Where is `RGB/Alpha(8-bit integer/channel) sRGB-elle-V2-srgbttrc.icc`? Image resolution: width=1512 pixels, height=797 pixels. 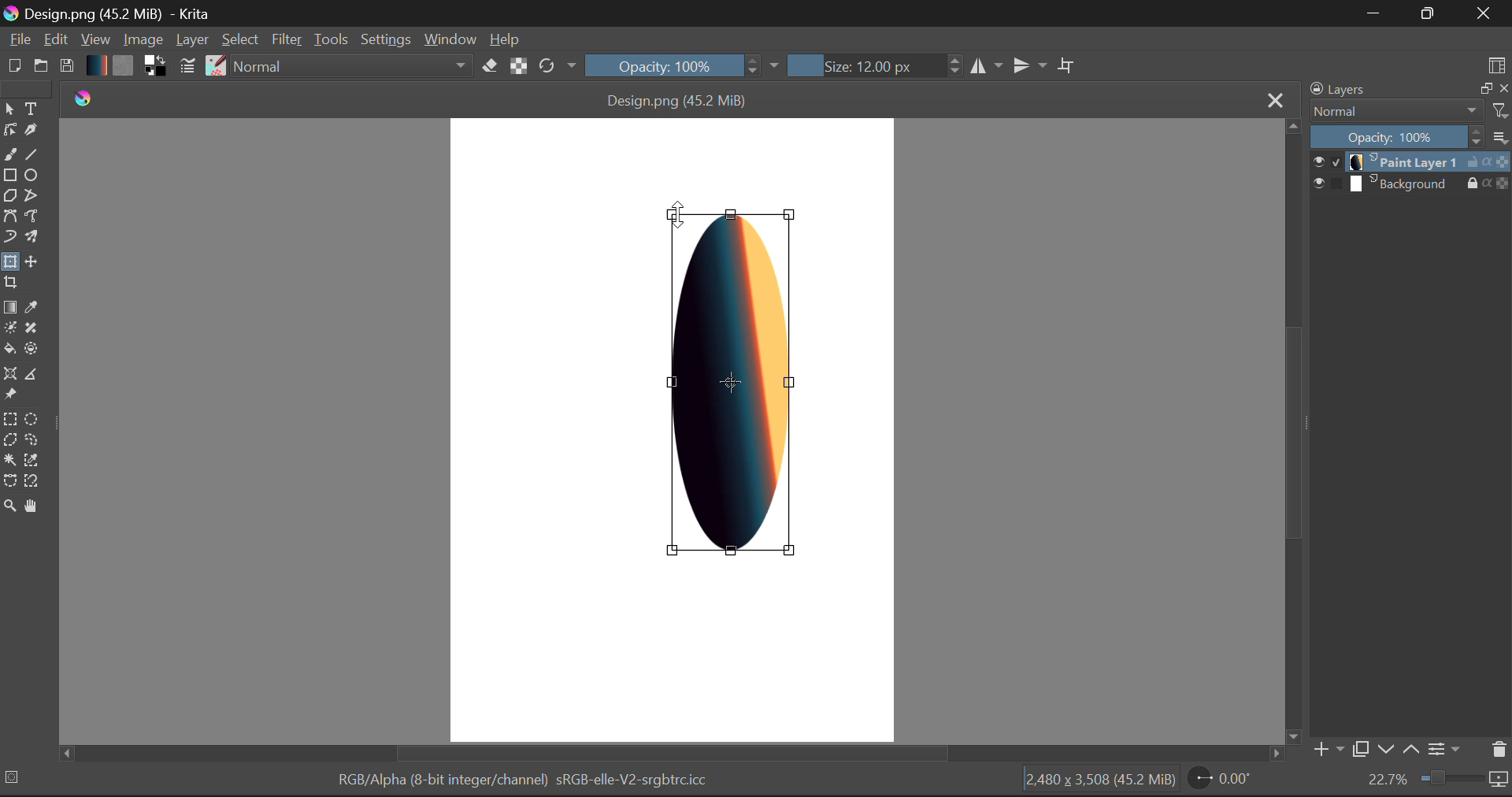 RGB/Alpha(8-bit integer/channel) sRGB-elle-V2-srgbttrc.icc is located at coordinates (520, 783).